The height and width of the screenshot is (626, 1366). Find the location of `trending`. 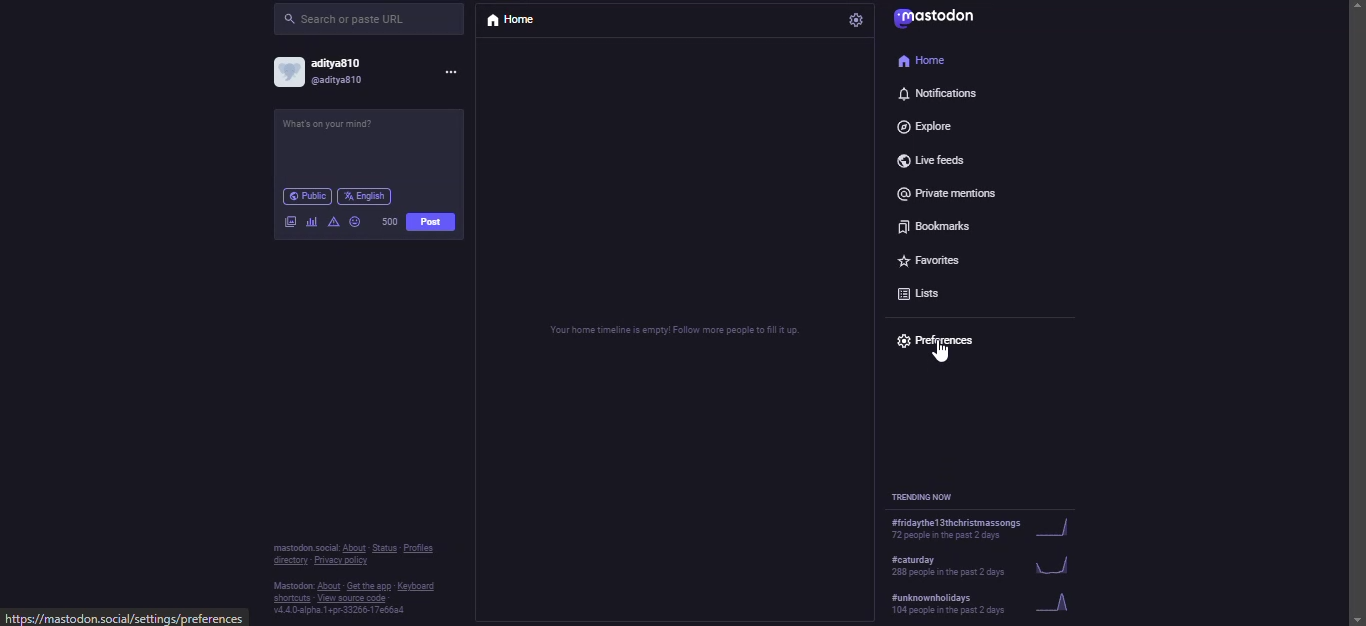

trending is located at coordinates (999, 532).